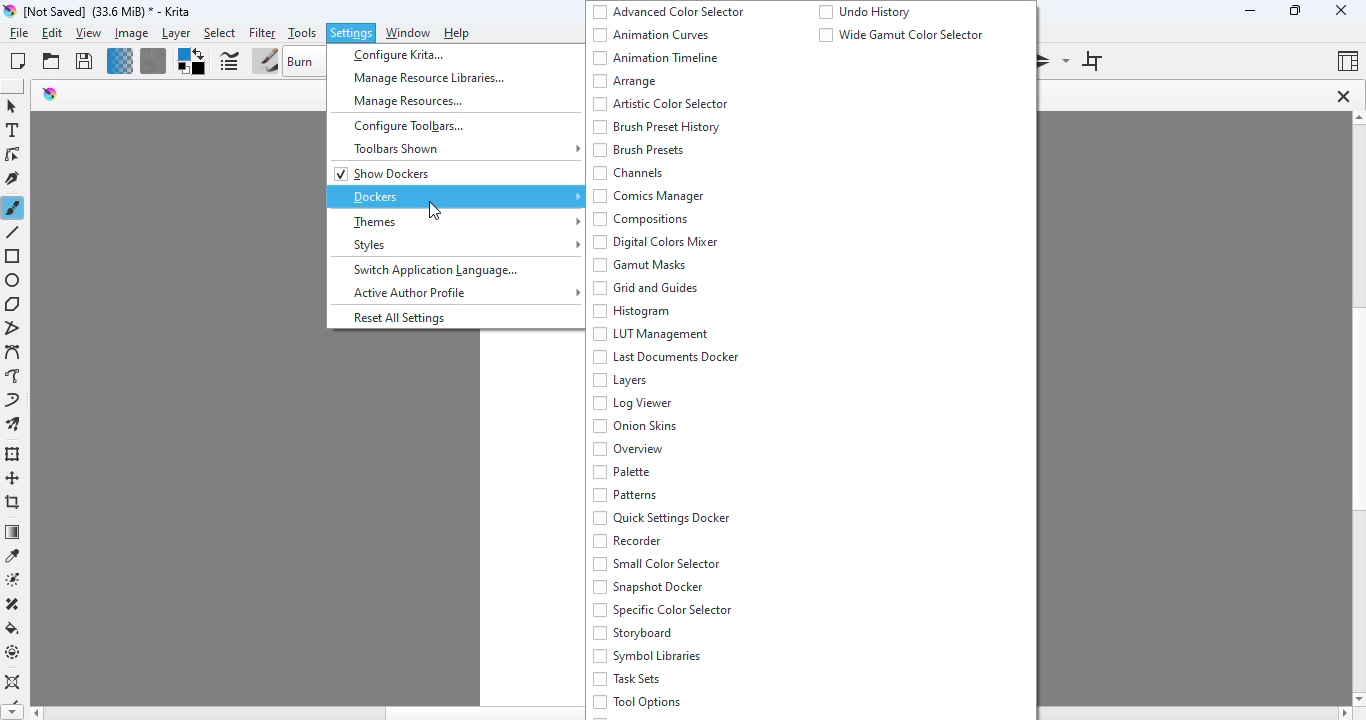 Image resolution: width=1366 pixels, height=720 pixels. What do you see at coordinates (13, 652) in the screenshot?
I see `enclose and fill tool` at bounding box center [13, 652].